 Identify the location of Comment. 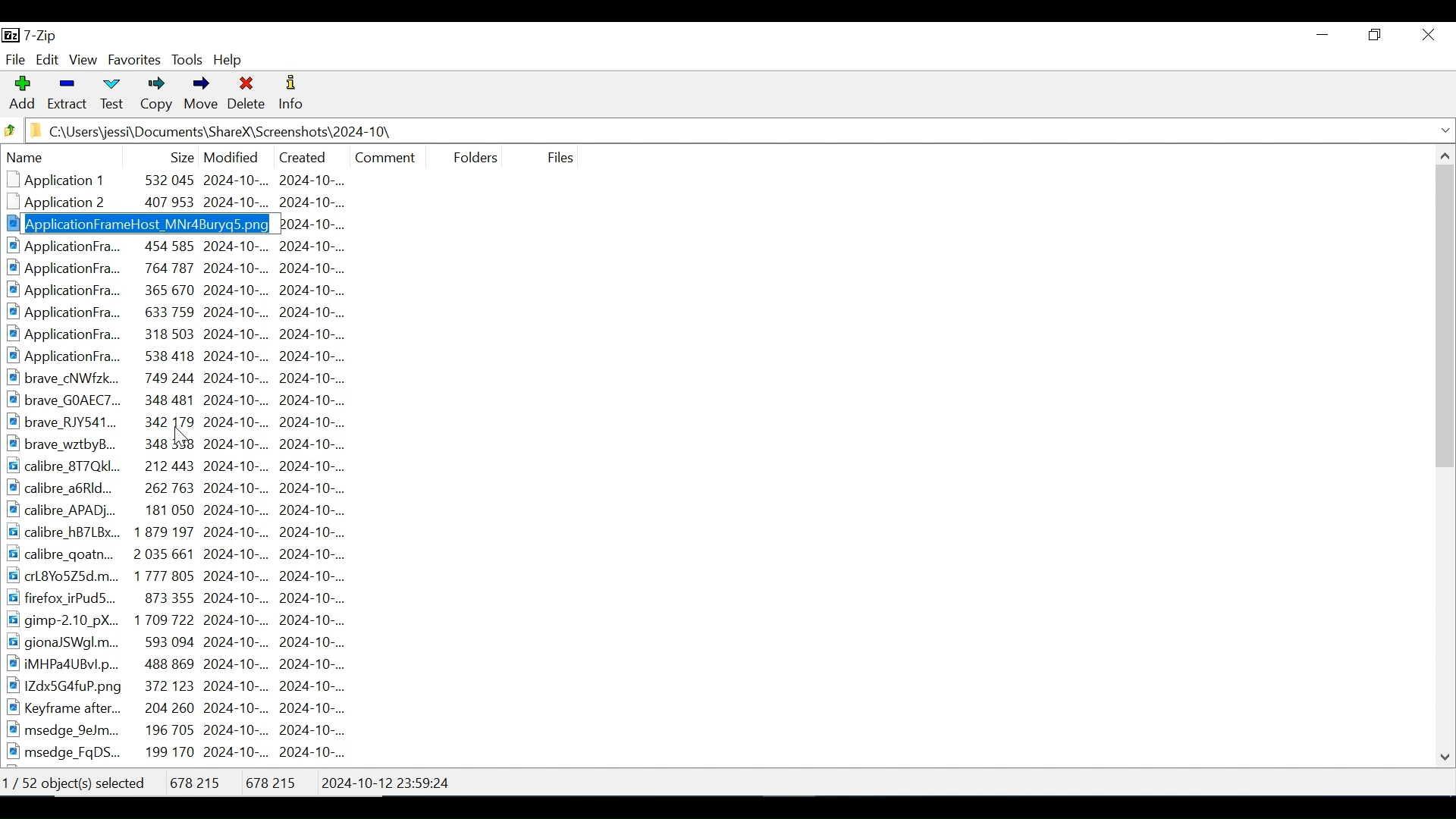
(385, 155).